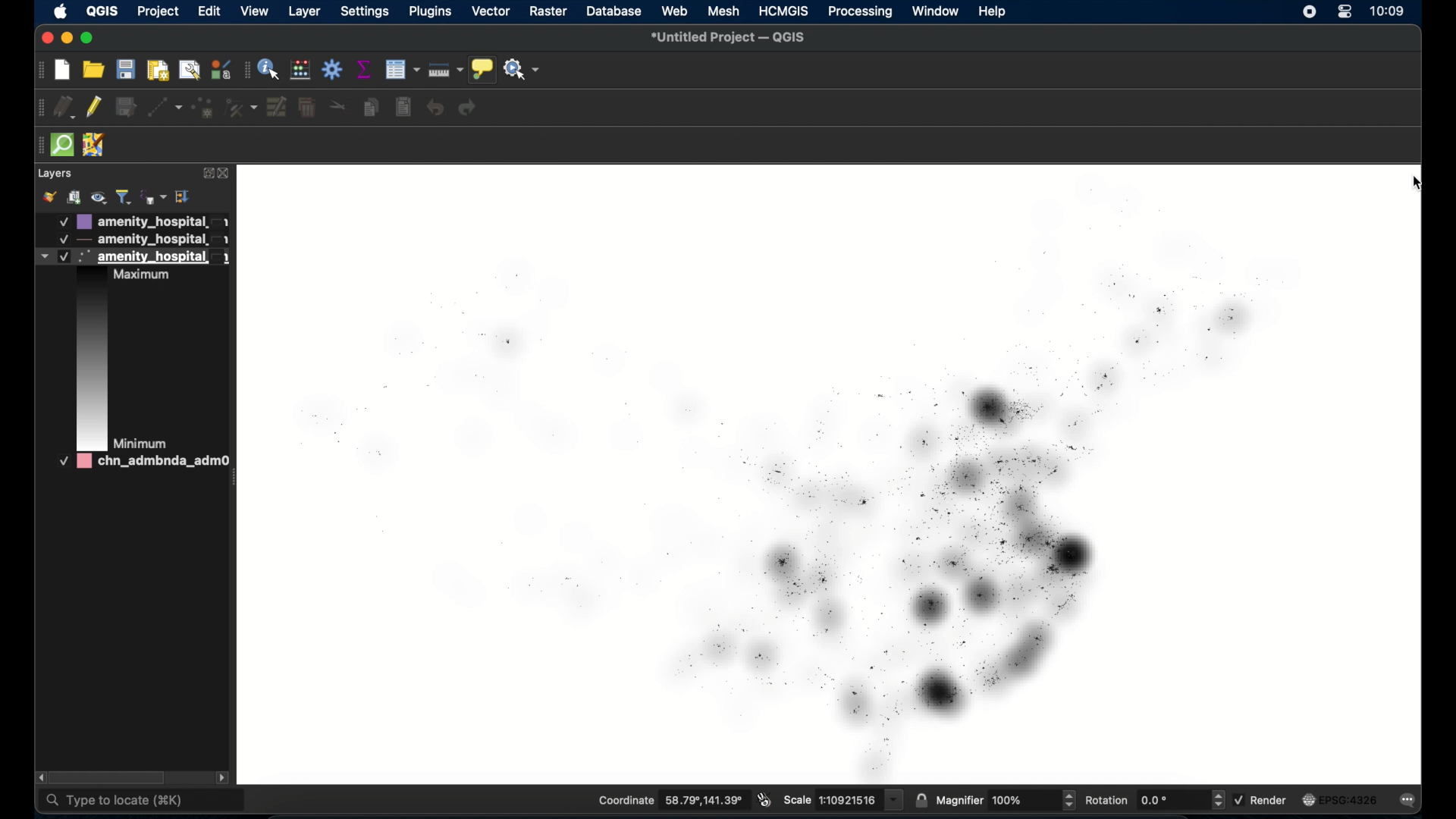 The image size is (1456, 819). Describe the element at coordinates (614, 11) in the screenshot. I see `database` at that location.